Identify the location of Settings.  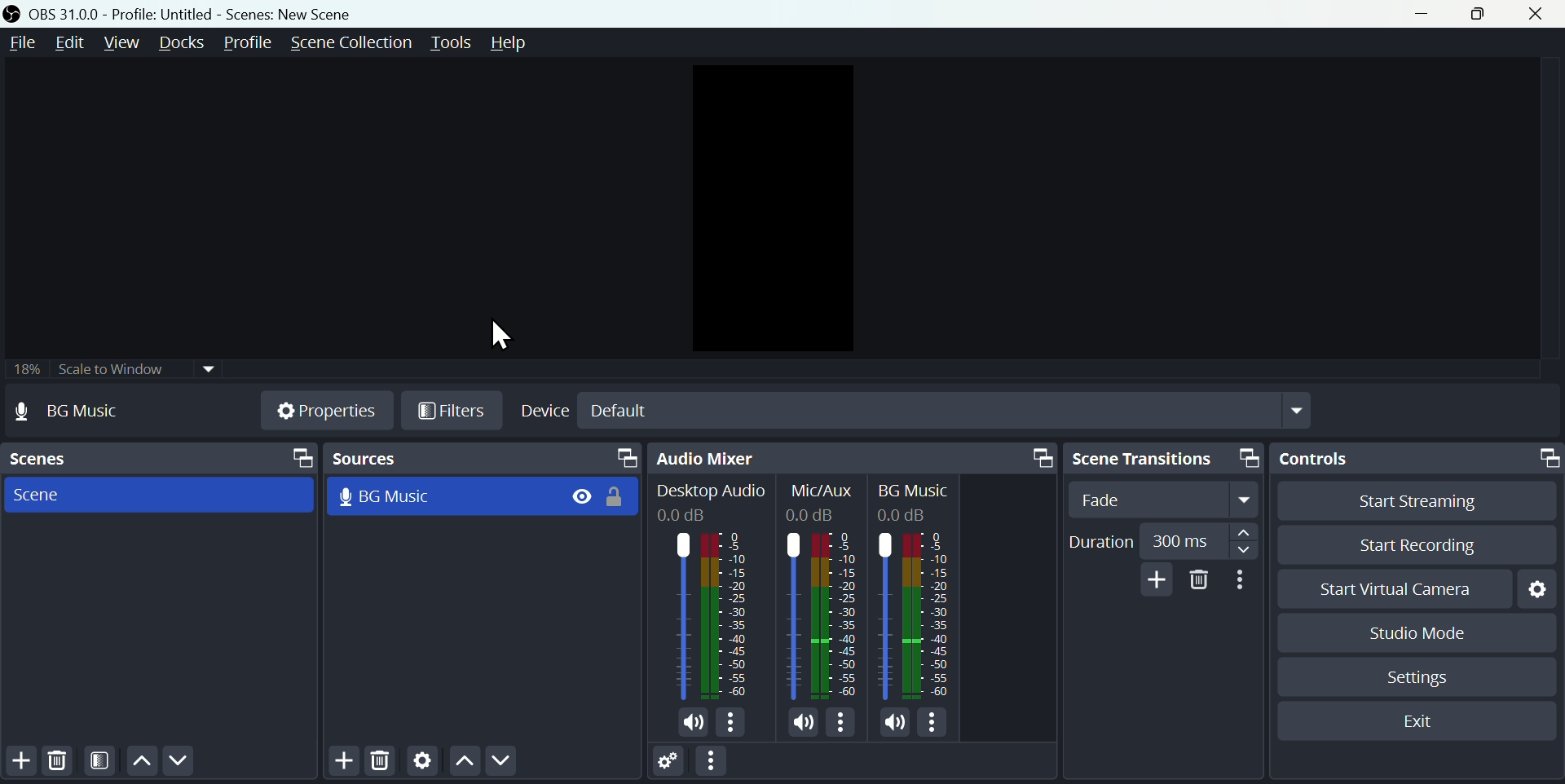
(1422, 679).